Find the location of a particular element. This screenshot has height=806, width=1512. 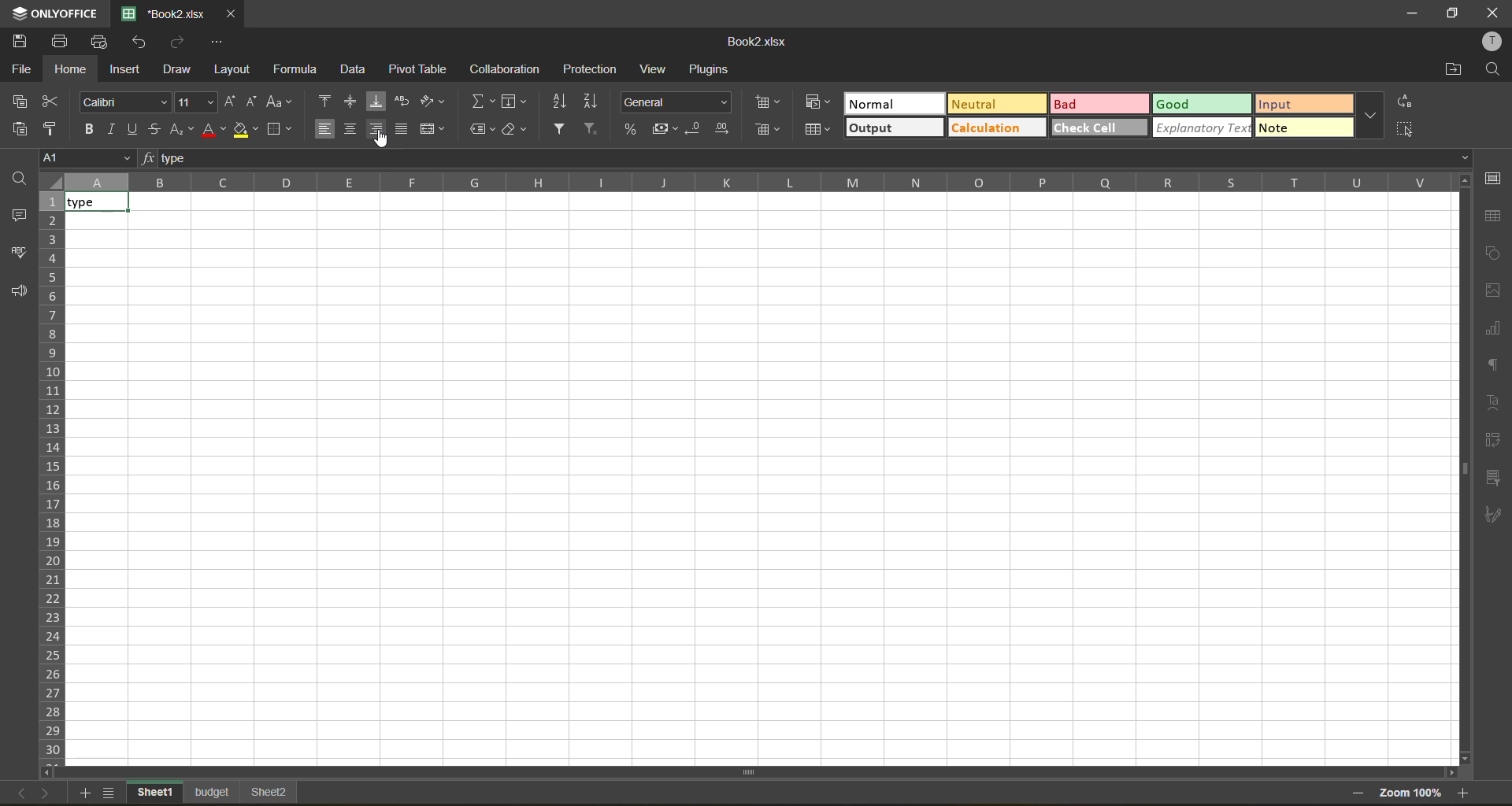

plugins is located at coordinates (713, 70).